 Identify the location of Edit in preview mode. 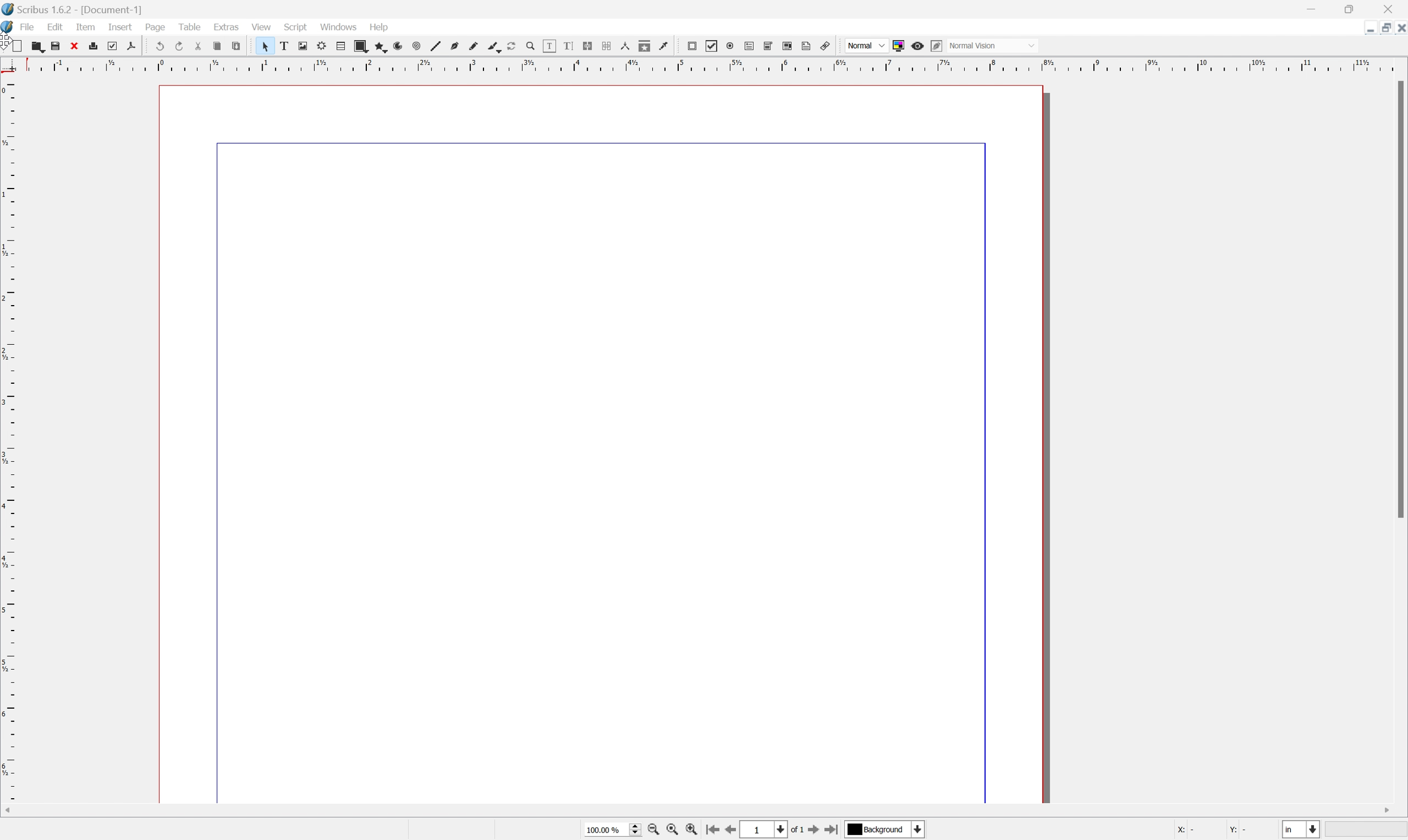
(936, 46).